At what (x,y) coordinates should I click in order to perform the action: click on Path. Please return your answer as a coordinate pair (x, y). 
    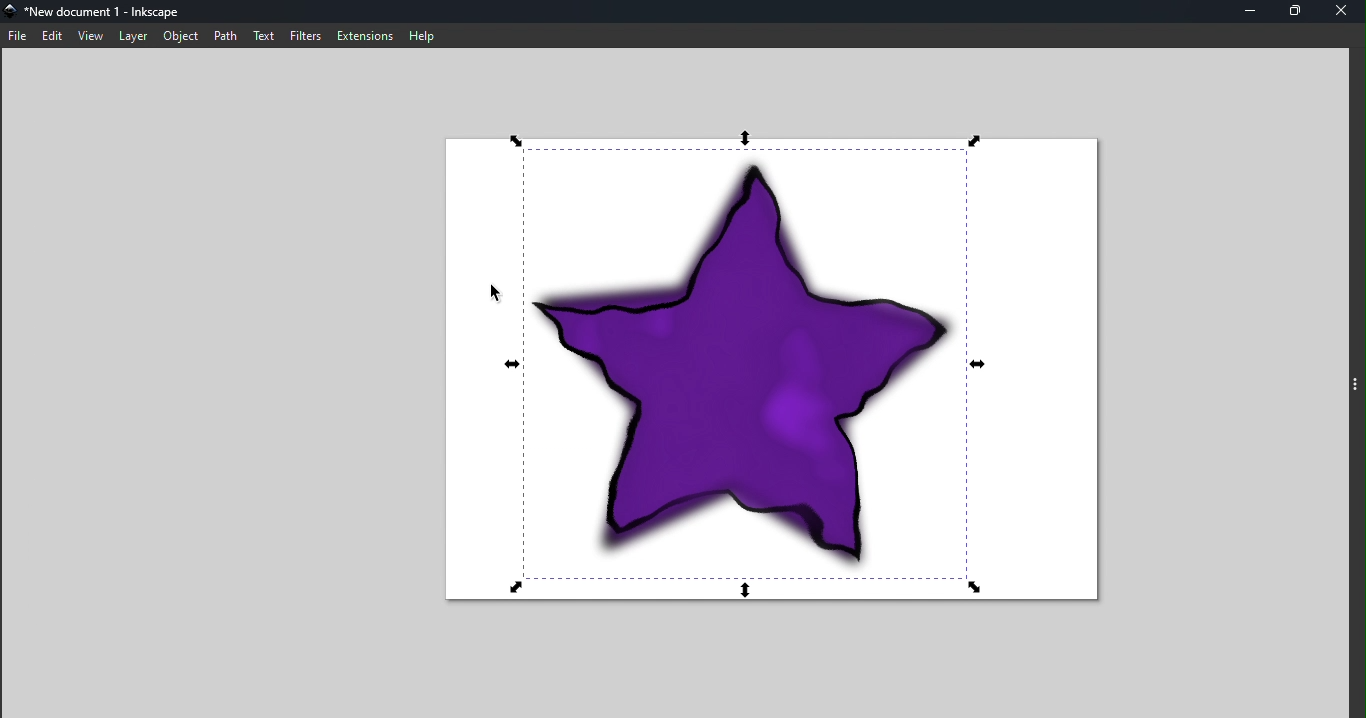
    Looking at the image, I should click on (226, 36).